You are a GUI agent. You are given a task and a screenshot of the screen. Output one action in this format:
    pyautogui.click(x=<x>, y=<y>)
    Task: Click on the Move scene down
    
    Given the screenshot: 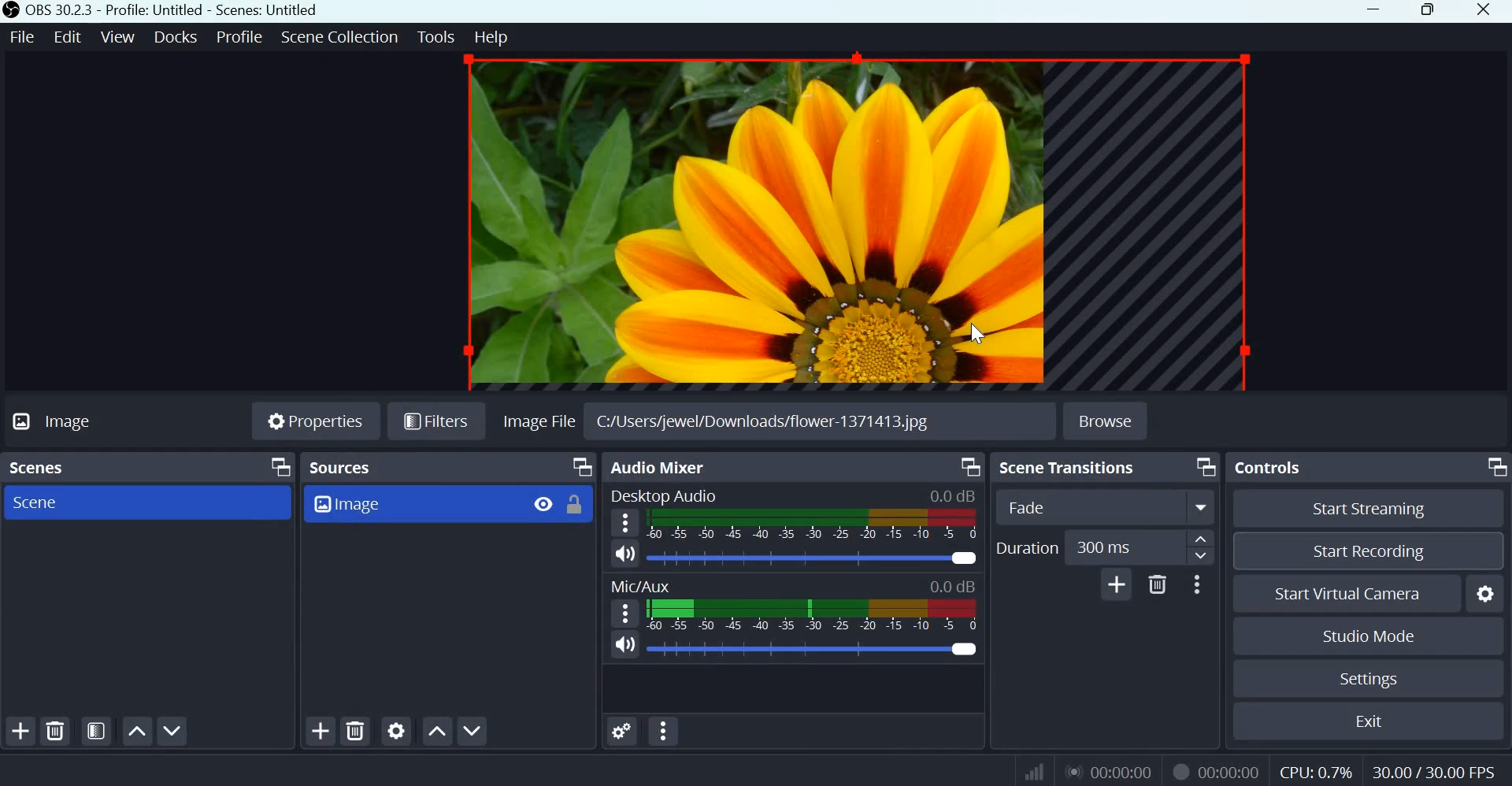 What is the action you would take?
    pyautogui.click(x=172, y=731)
    